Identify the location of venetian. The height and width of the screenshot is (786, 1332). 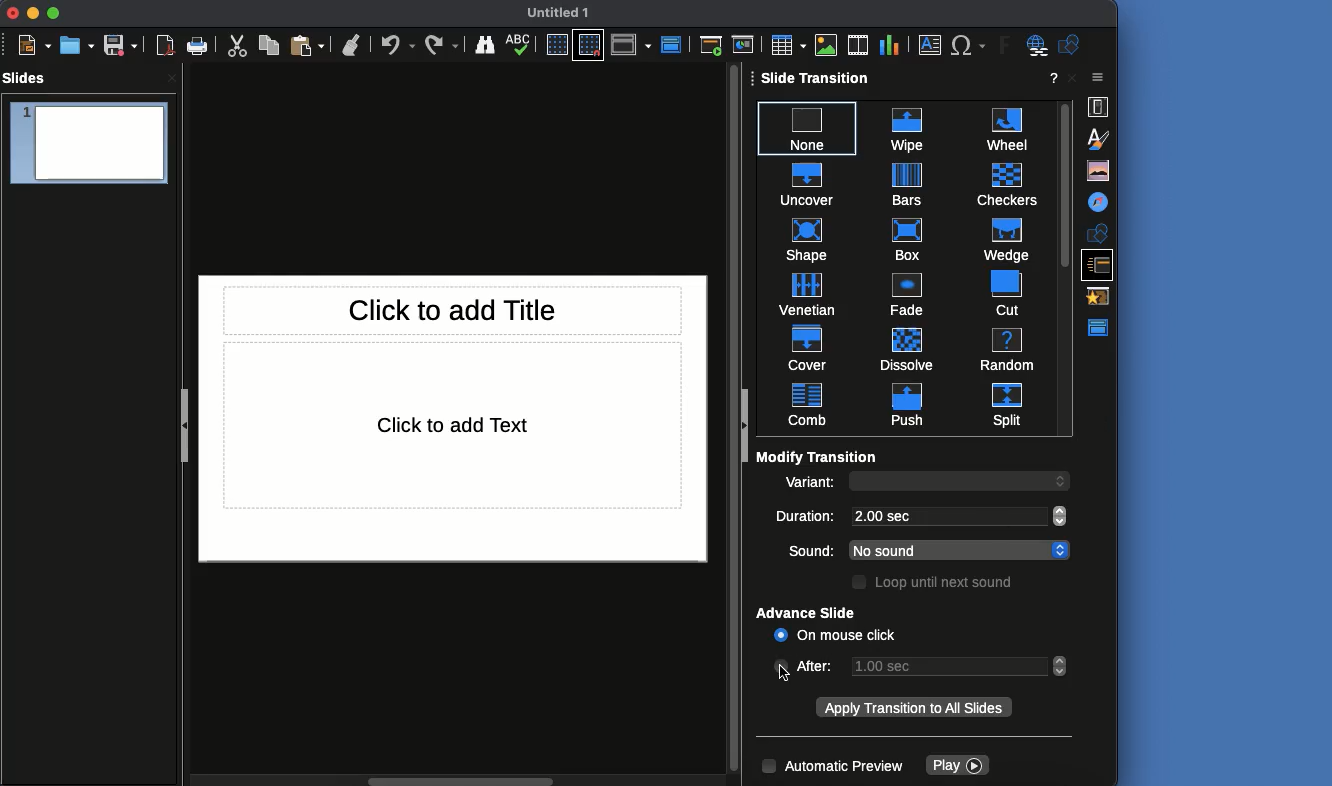
(808, 291).